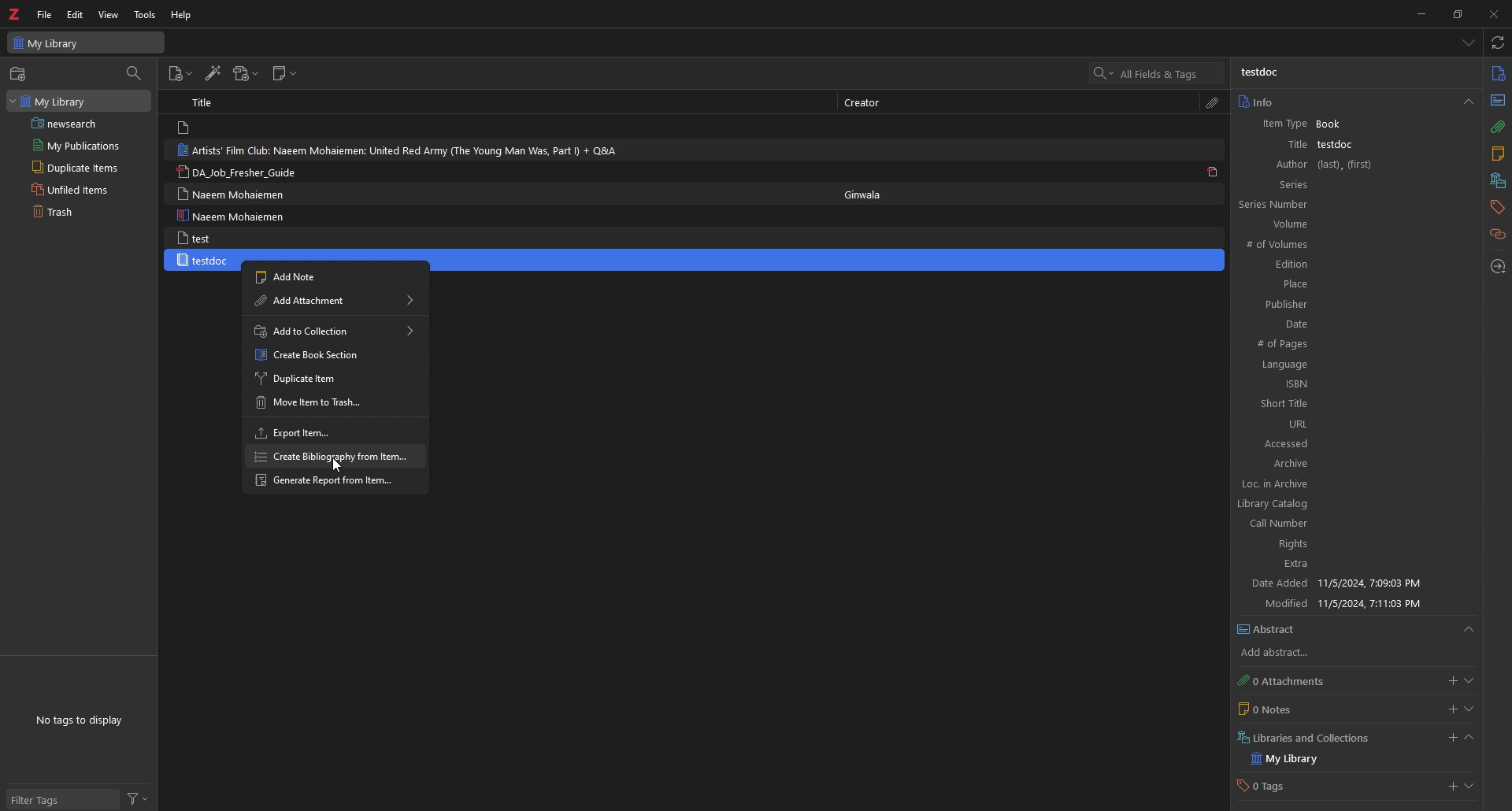  I want to click on # of Volumes, so click(1342, 246).